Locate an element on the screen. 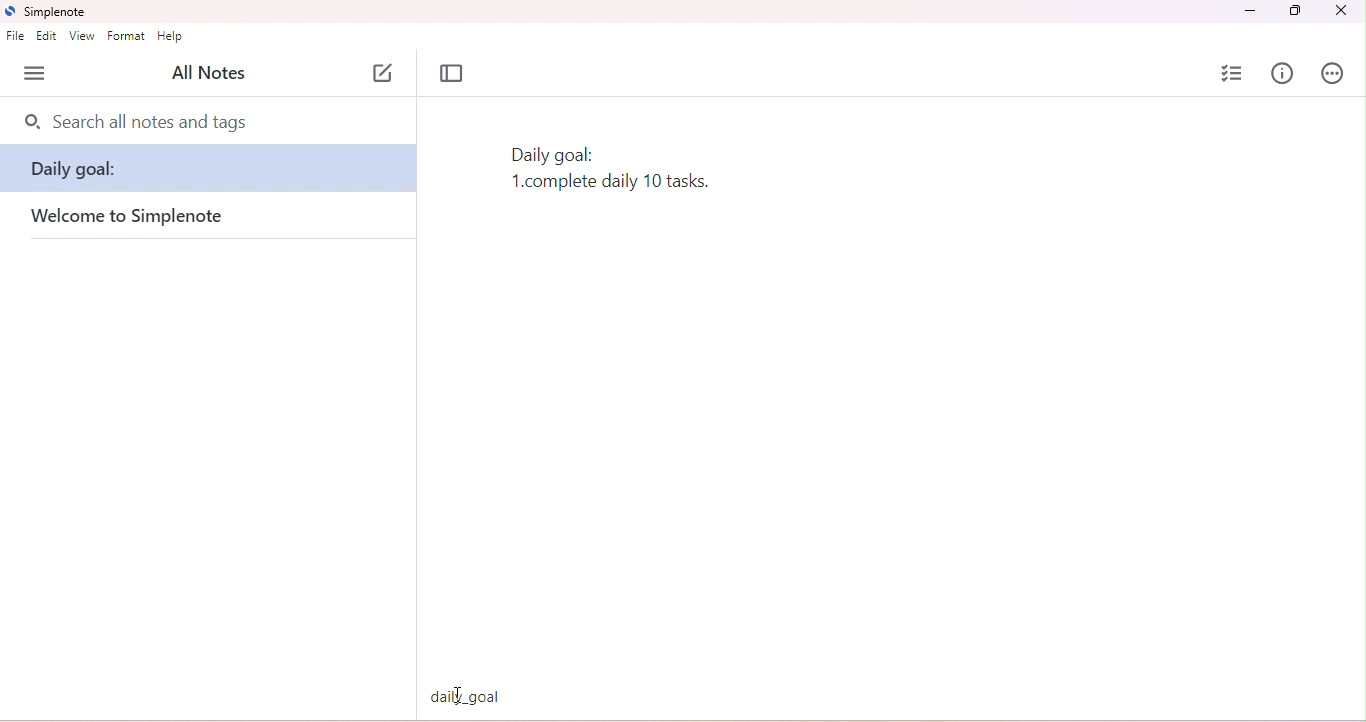 This screenshot has height=722, width=1366. help is located at coordinates (171, 35).